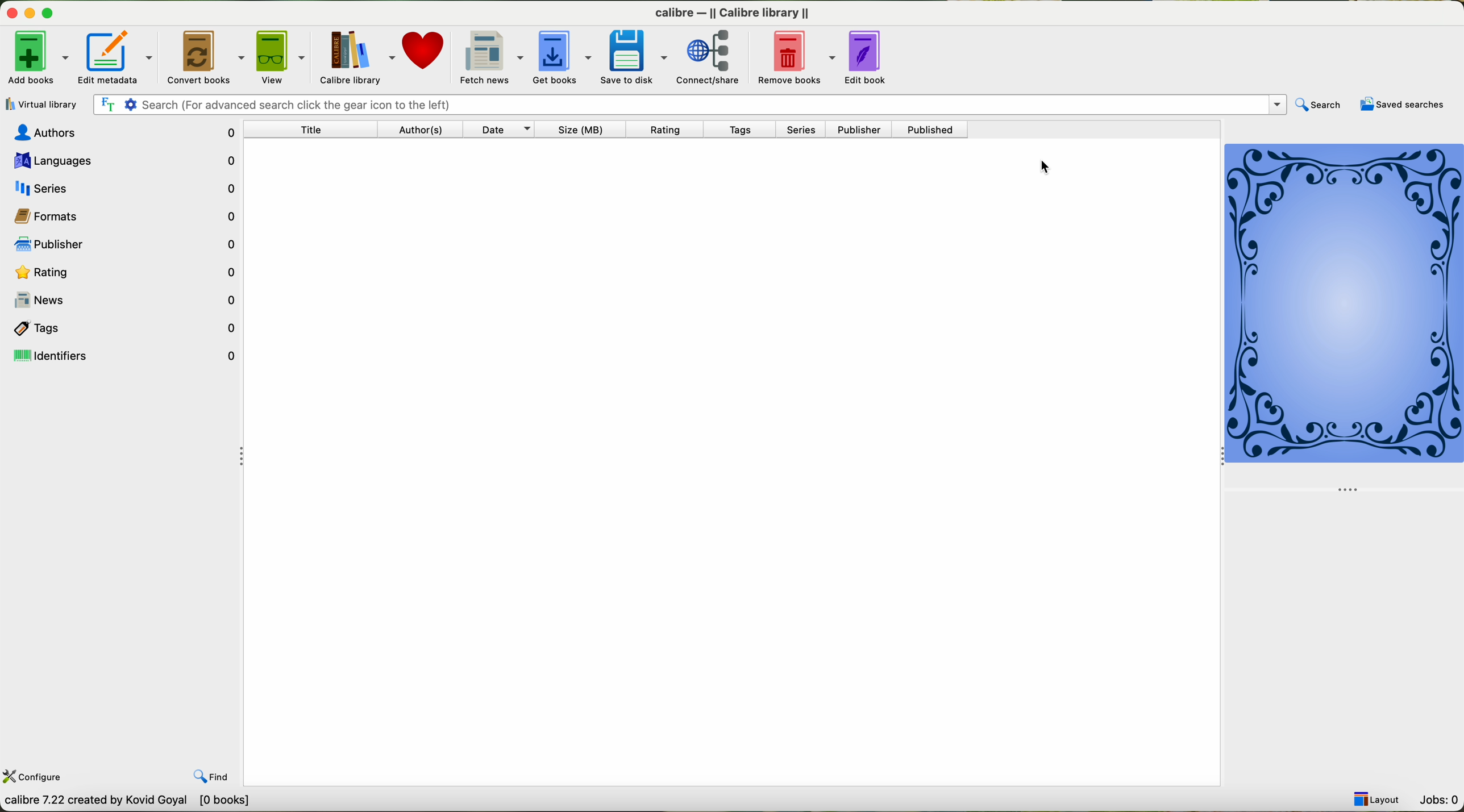 This screenshot has height=812, width=1464. What do you see at coordinates (810, 130) in the screenshot?
I see `series` at bounding box center [810, 130].